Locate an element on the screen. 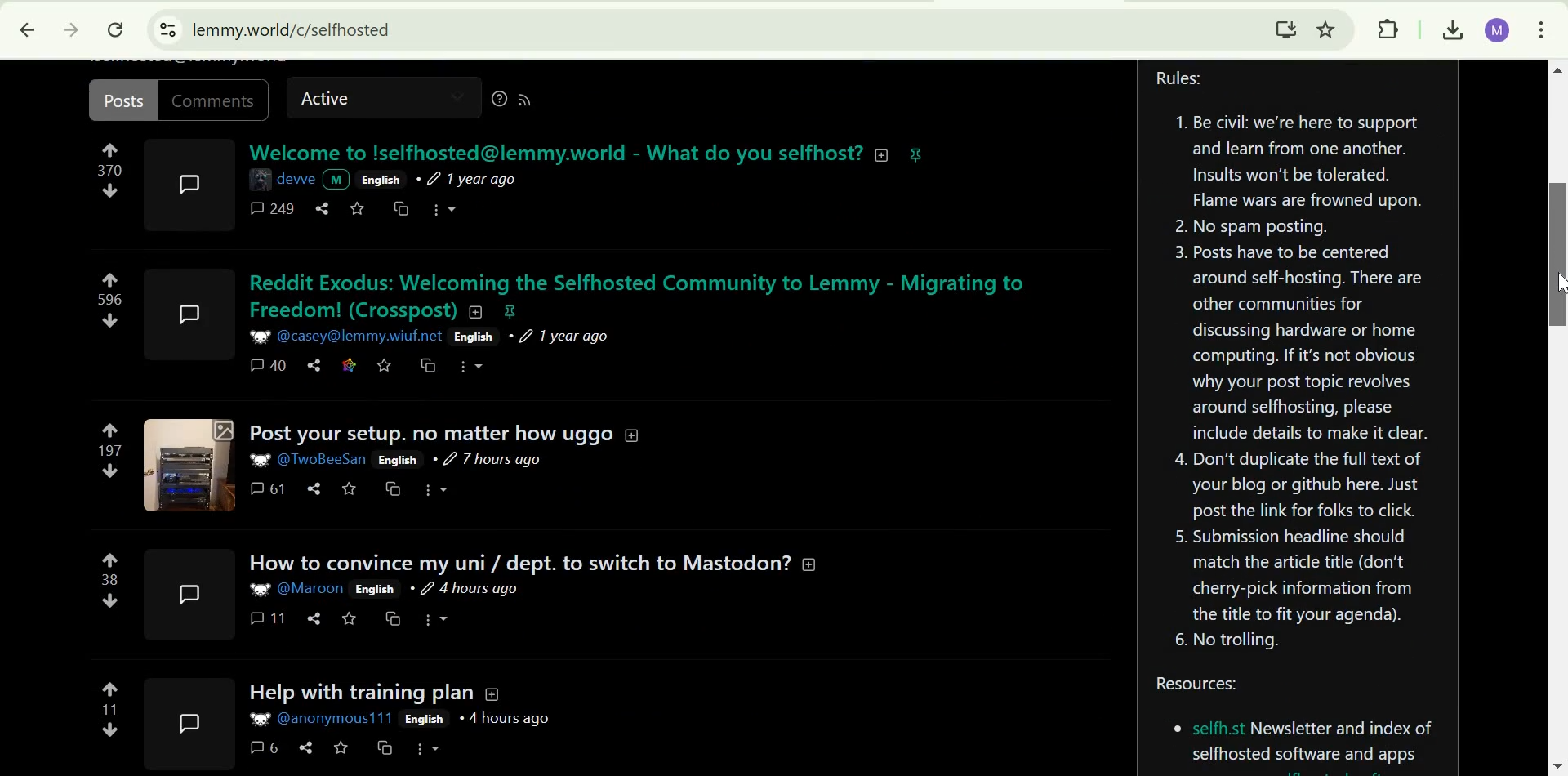 This screenshot has width=1568, height=776. image is located at coordinates (262, 176).